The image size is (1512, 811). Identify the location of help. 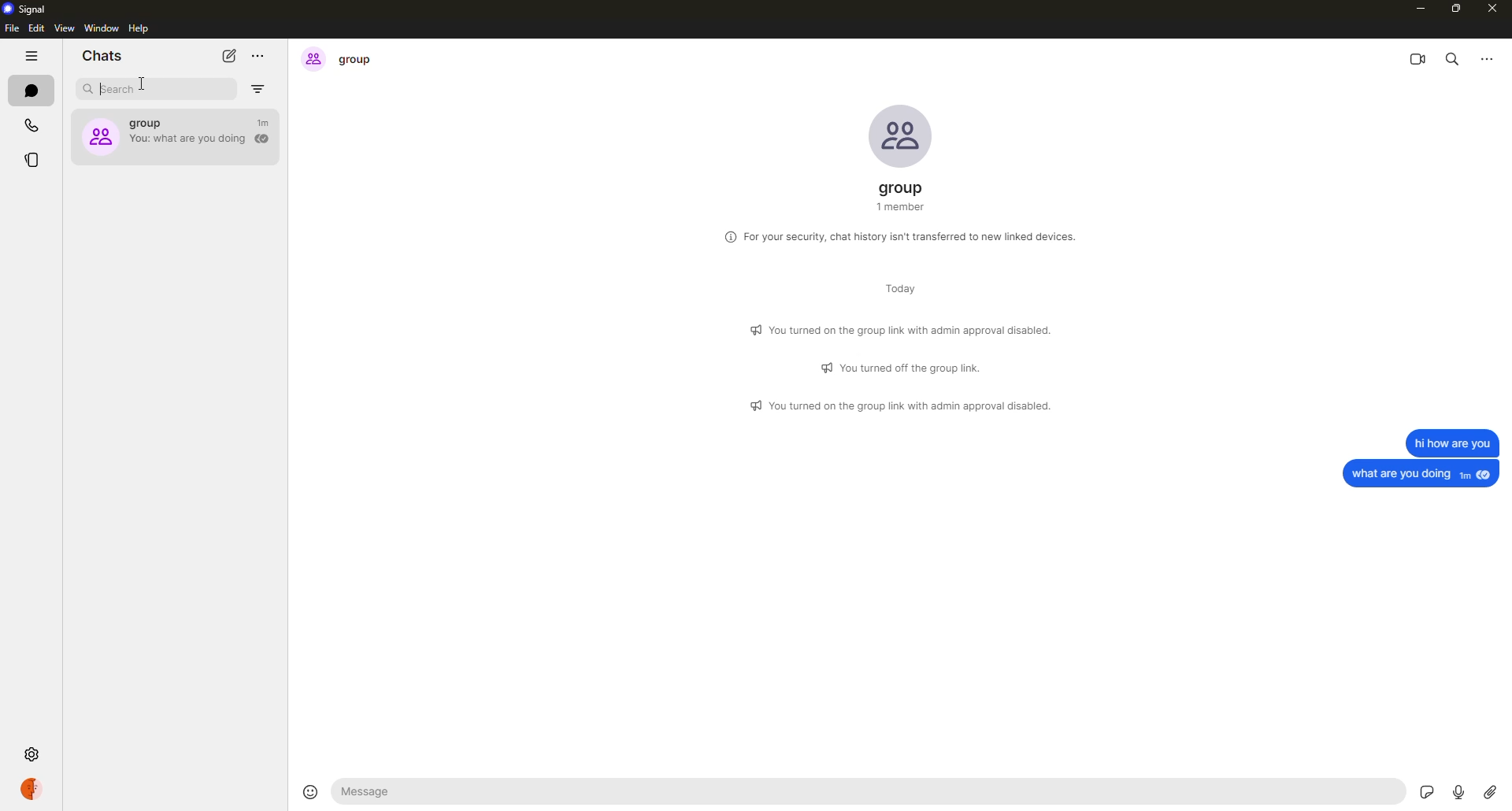
(139, 28).